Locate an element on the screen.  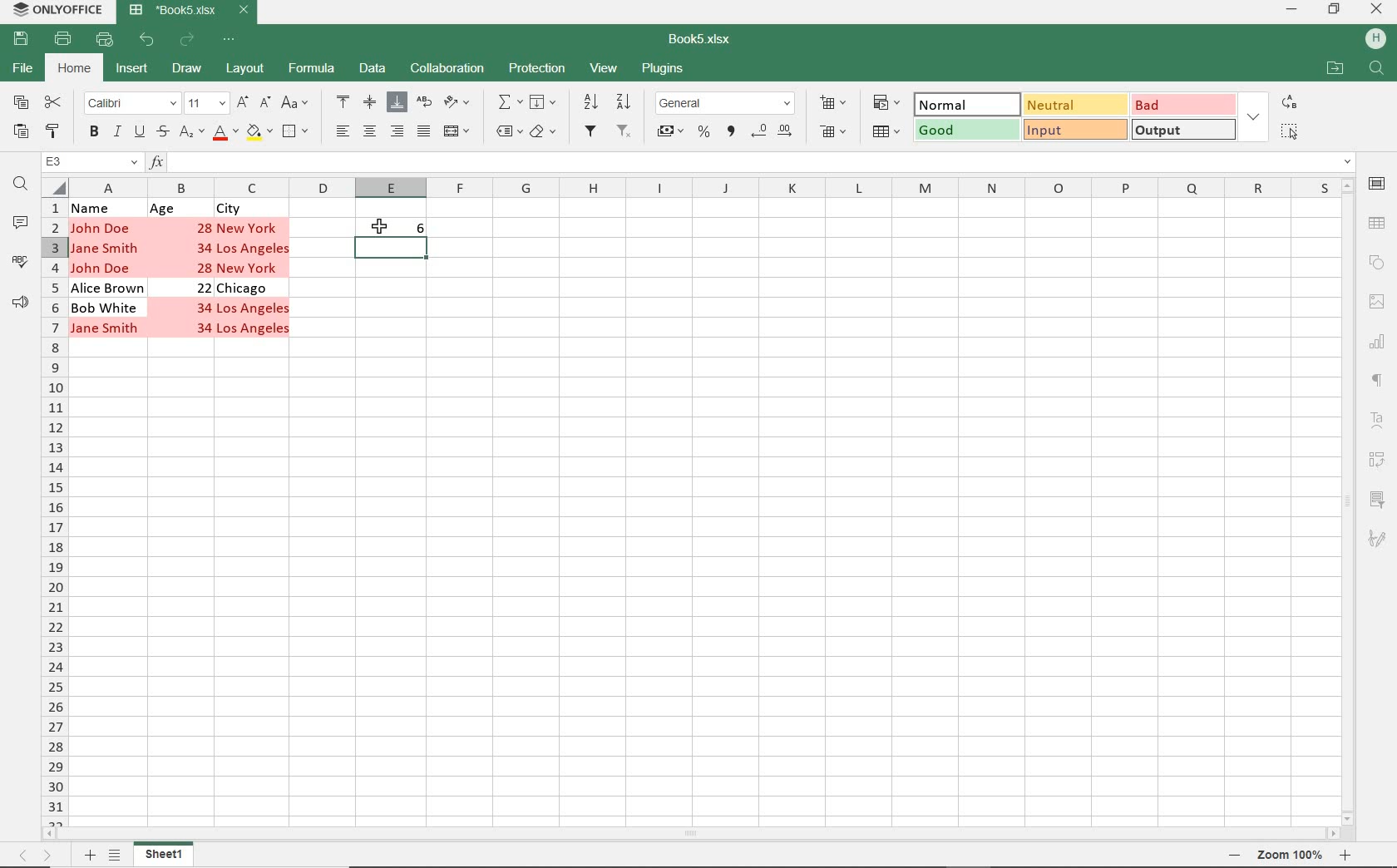
REDO is located at coordinates (187, 42).